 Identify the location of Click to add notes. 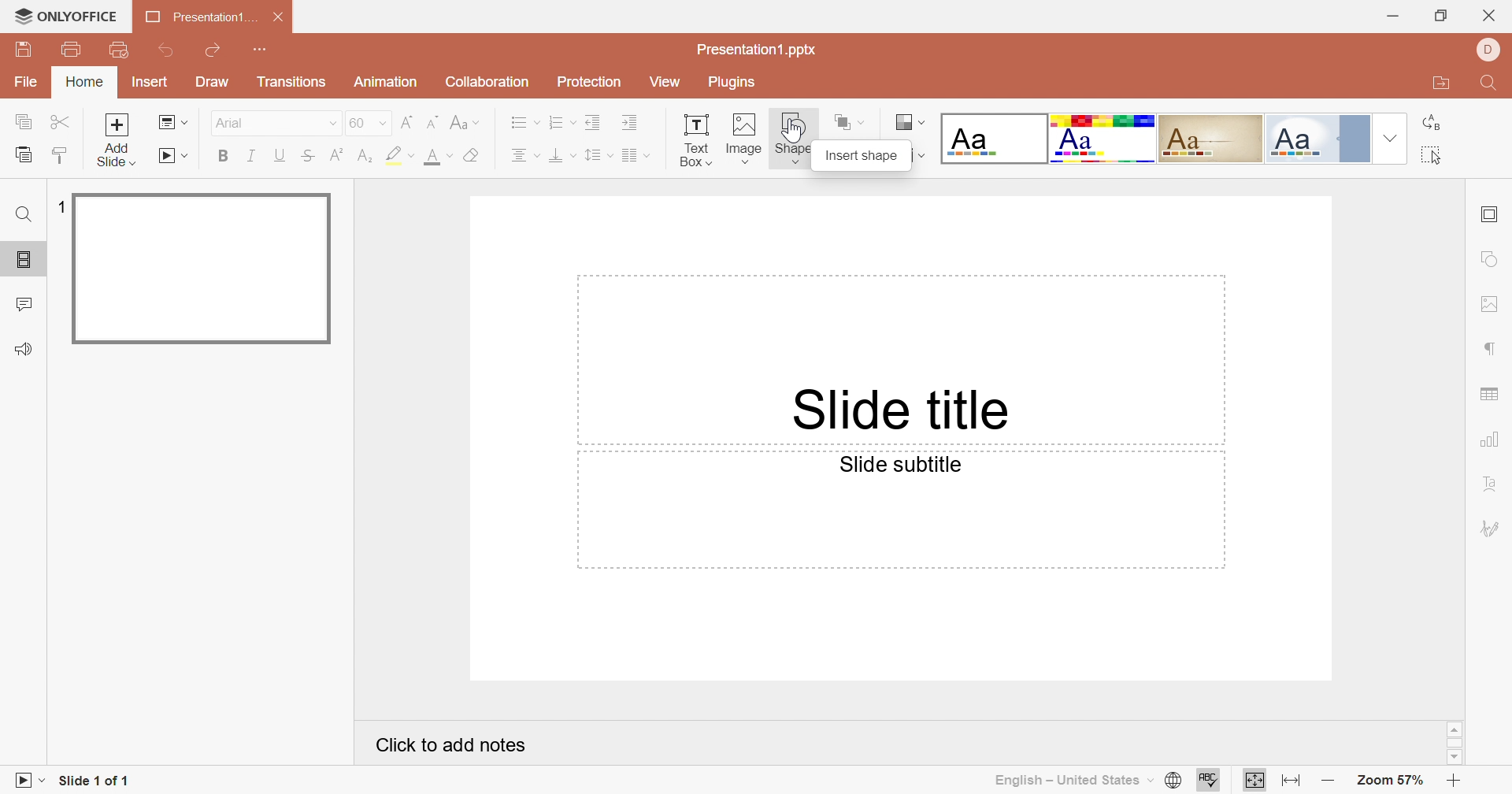
(454, 746).